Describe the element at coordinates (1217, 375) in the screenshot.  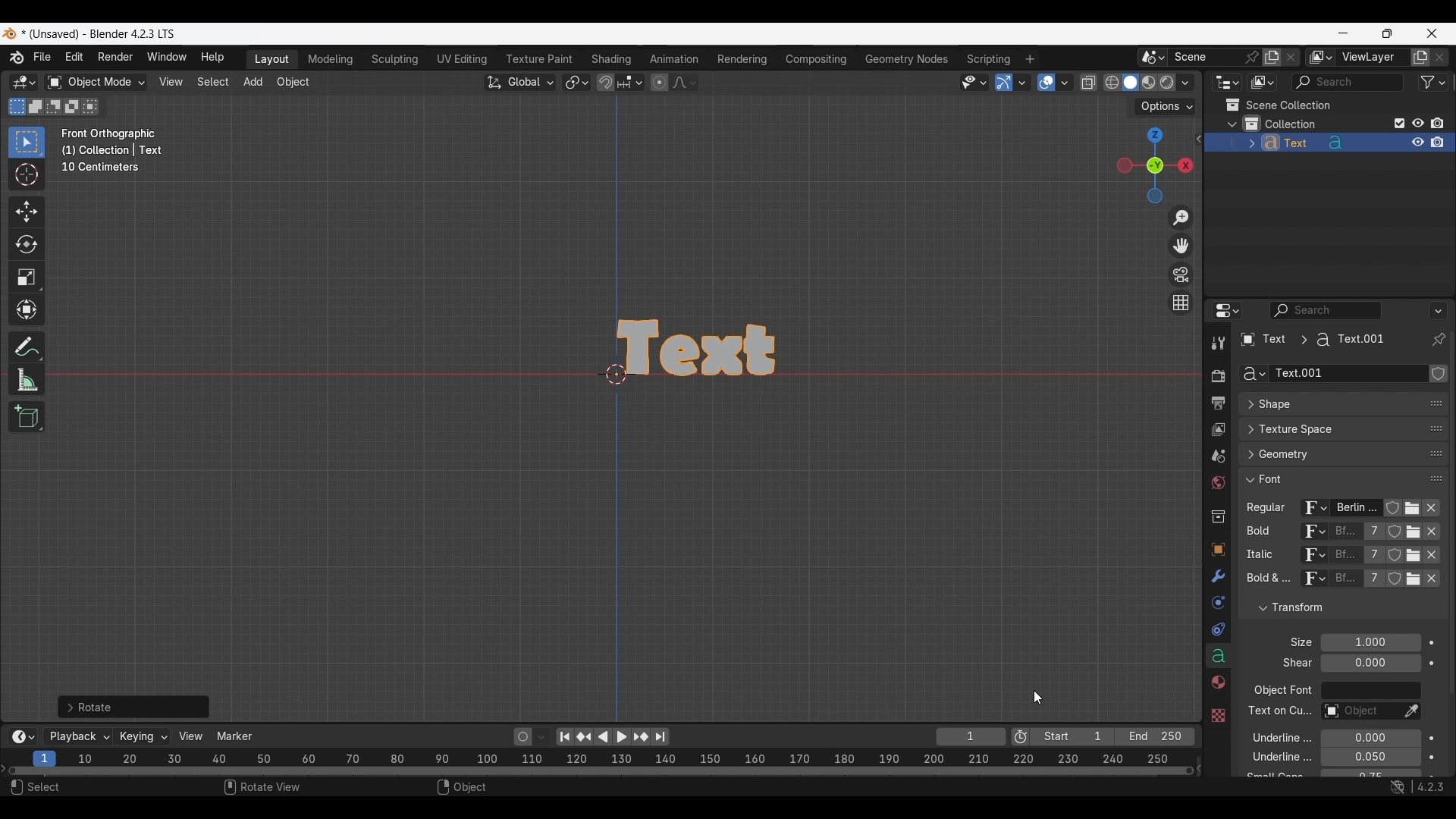
I see `Render` at that location.